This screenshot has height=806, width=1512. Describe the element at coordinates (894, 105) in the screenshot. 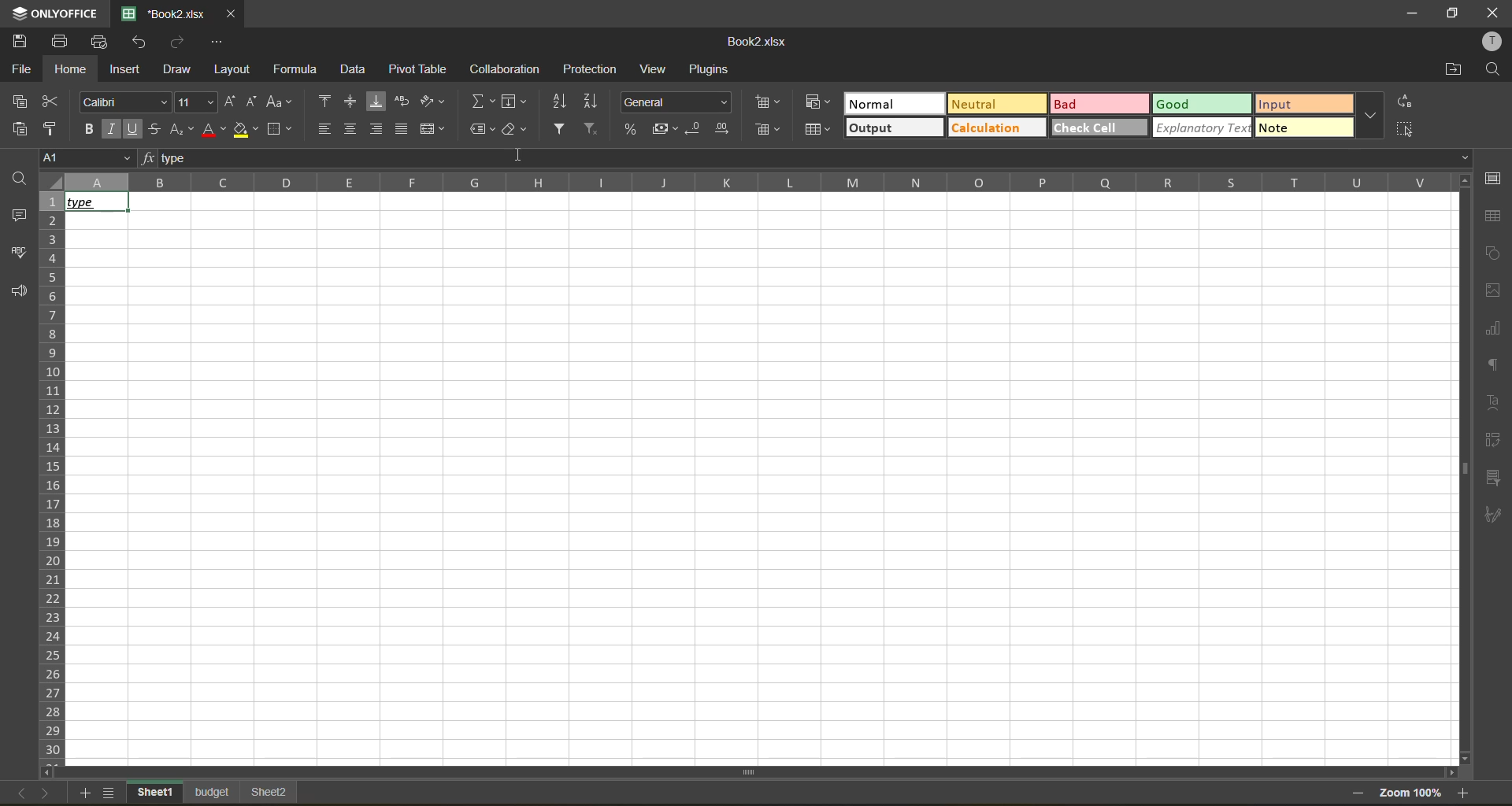

I see `normal` at that location.